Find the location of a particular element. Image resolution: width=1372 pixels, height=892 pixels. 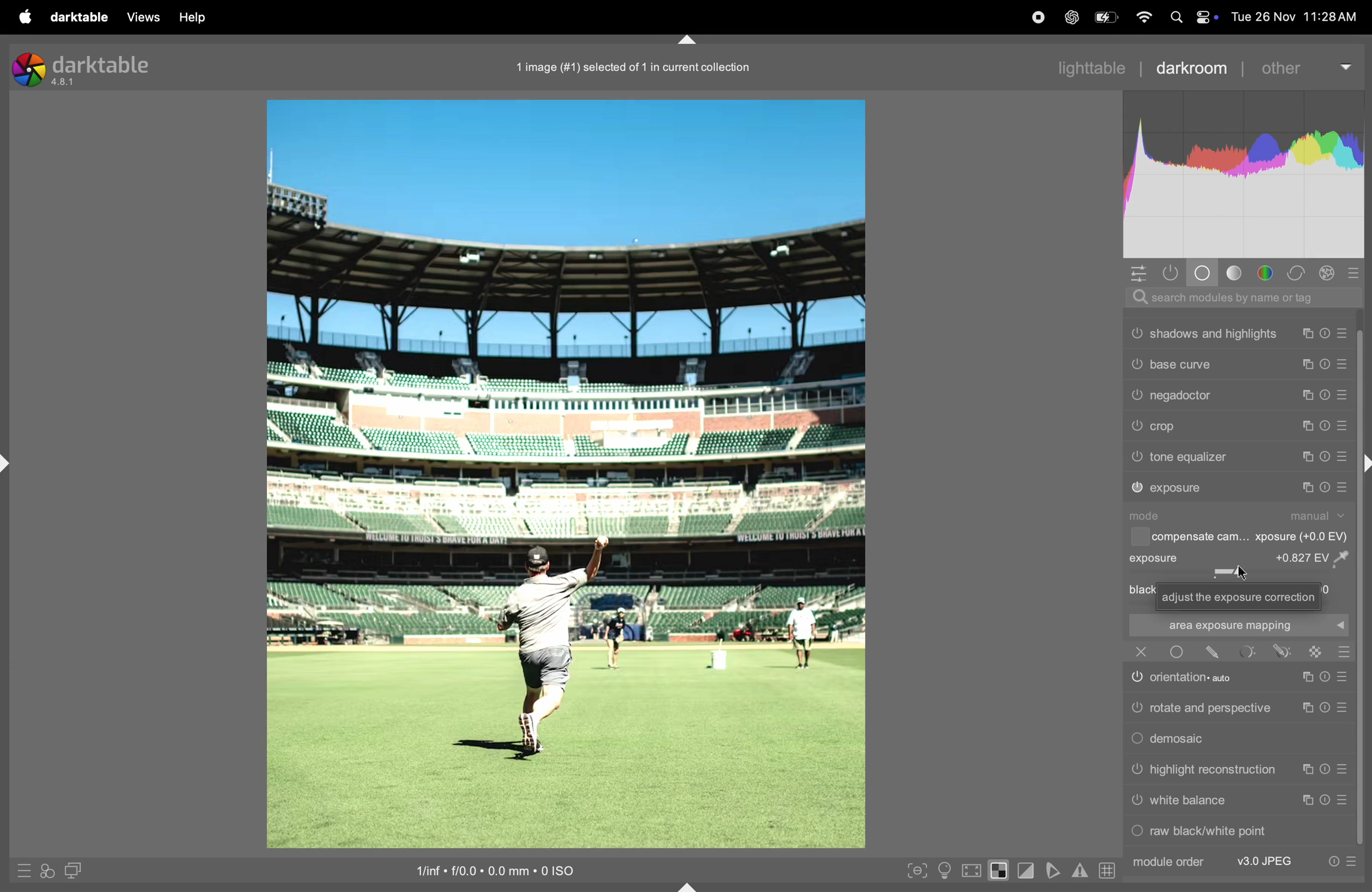

Switch on or off is located at coordinates (1176, 652).